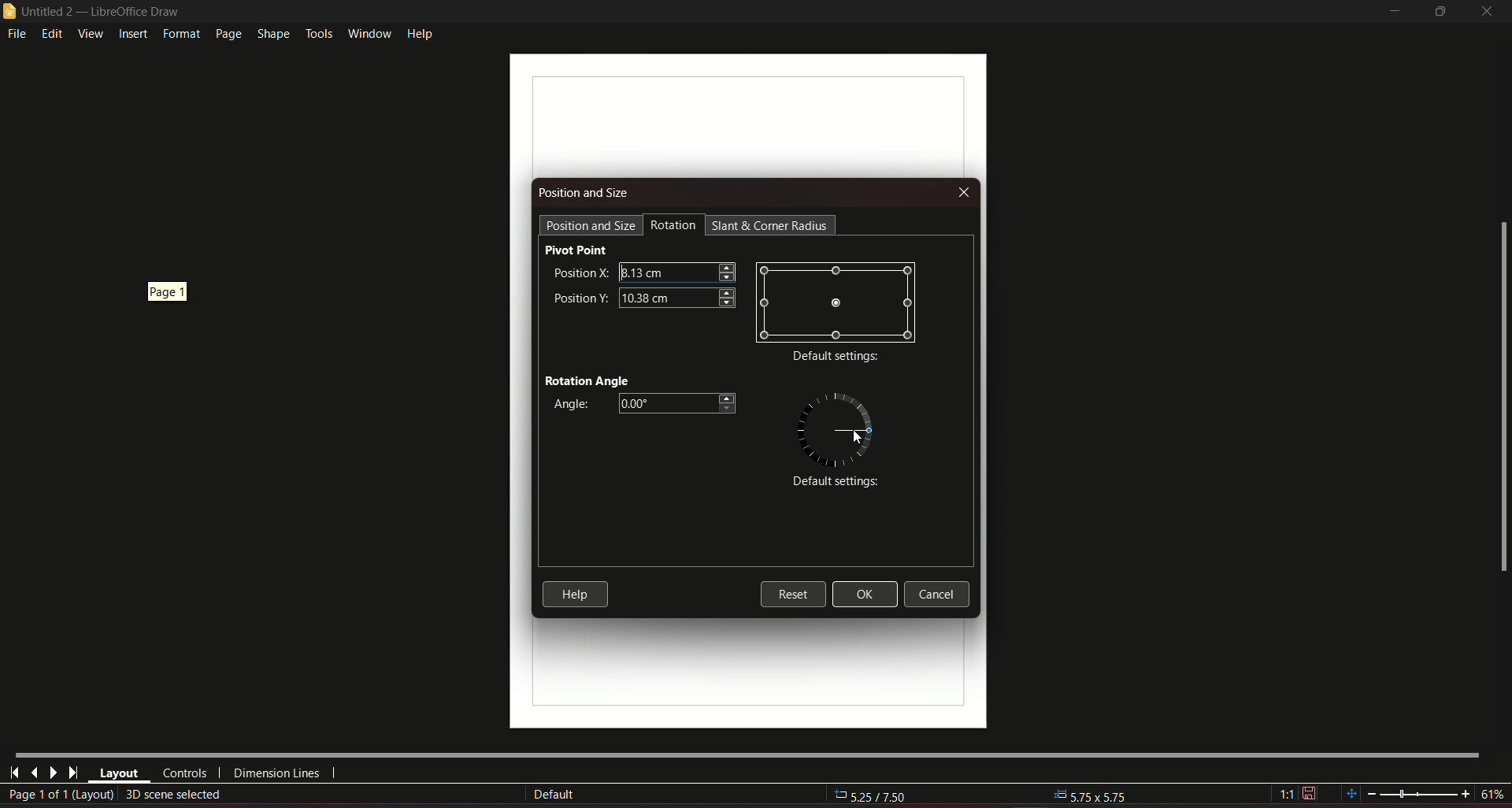  What do you see at coordinates (676, 297) in the screenshot?
I see `textbox` at bounding box center [676, 297].